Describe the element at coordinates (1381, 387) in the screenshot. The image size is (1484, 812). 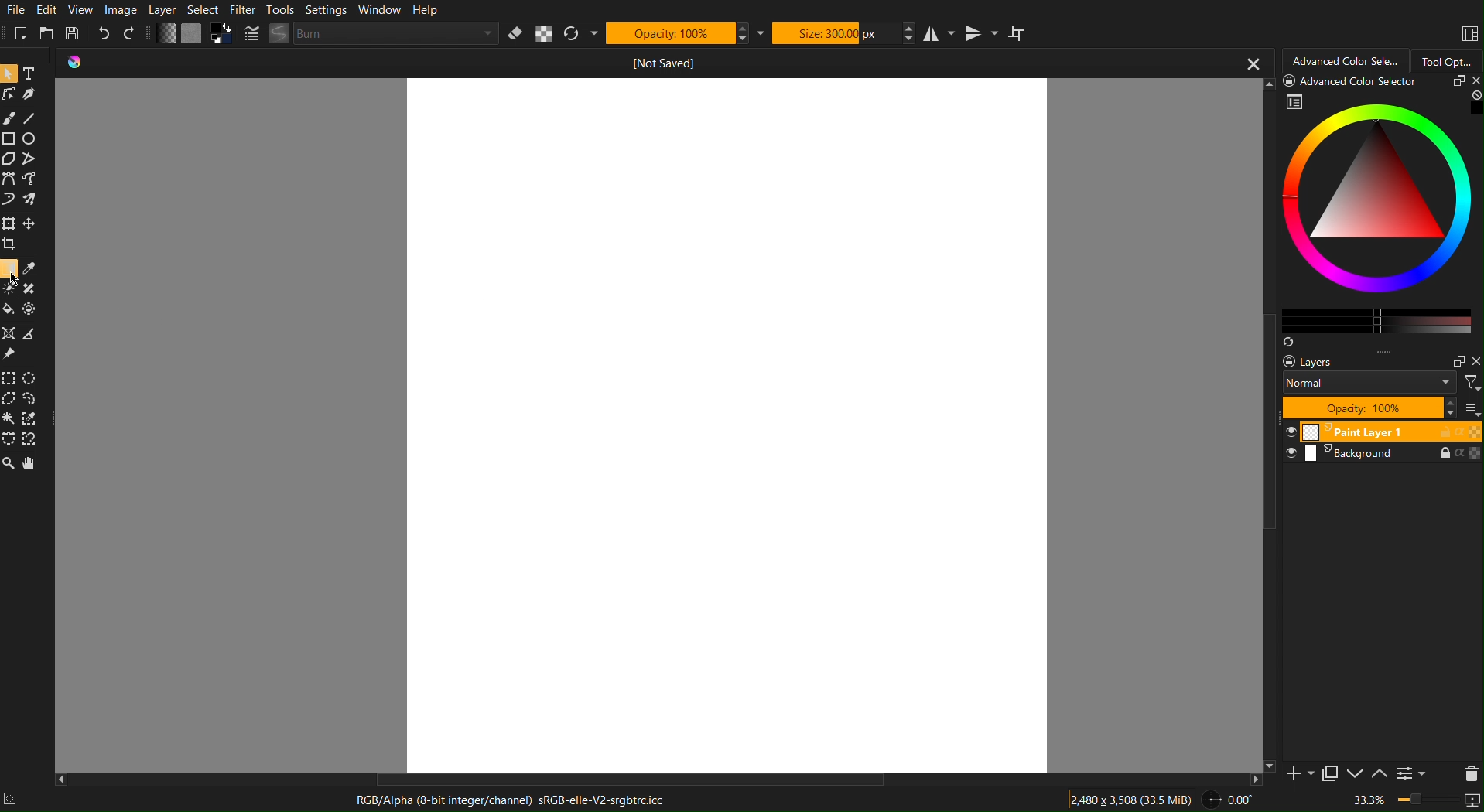
I see `Layer Settings` at that location.